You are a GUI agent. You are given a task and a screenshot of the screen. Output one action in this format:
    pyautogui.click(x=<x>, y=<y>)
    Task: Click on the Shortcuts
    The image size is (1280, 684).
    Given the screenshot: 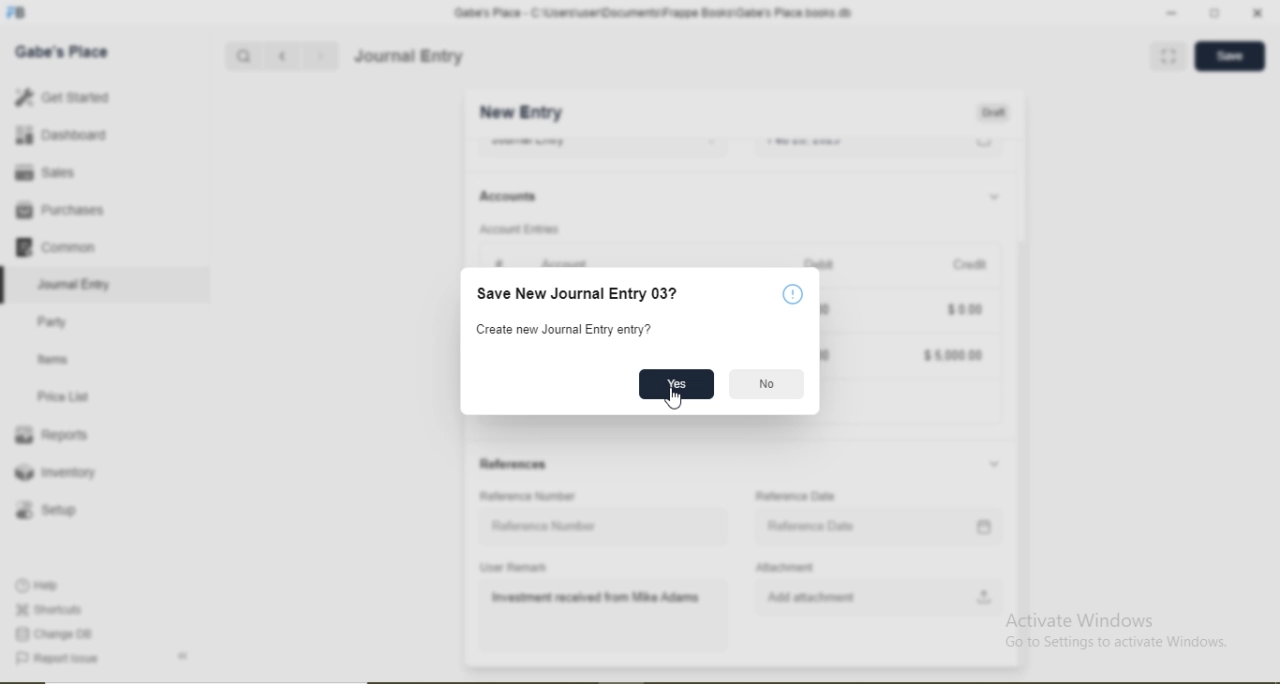 What is the action you would take?
    pyautogui.click(x=47, y=609)
    